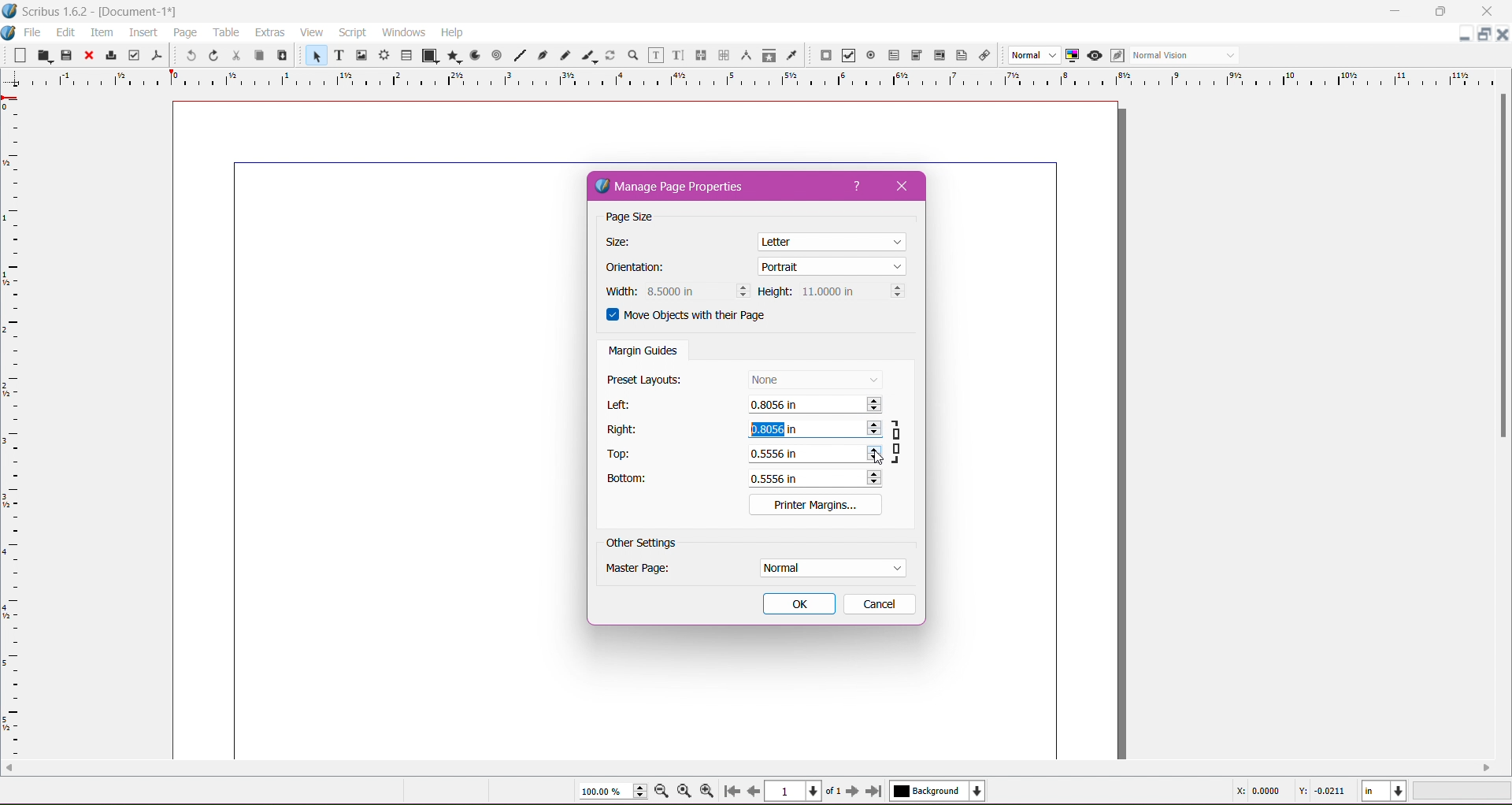  What do you see at coordinates (258, 54) in the screenshot?
I see `Copy` at bounding box center [258, 54].